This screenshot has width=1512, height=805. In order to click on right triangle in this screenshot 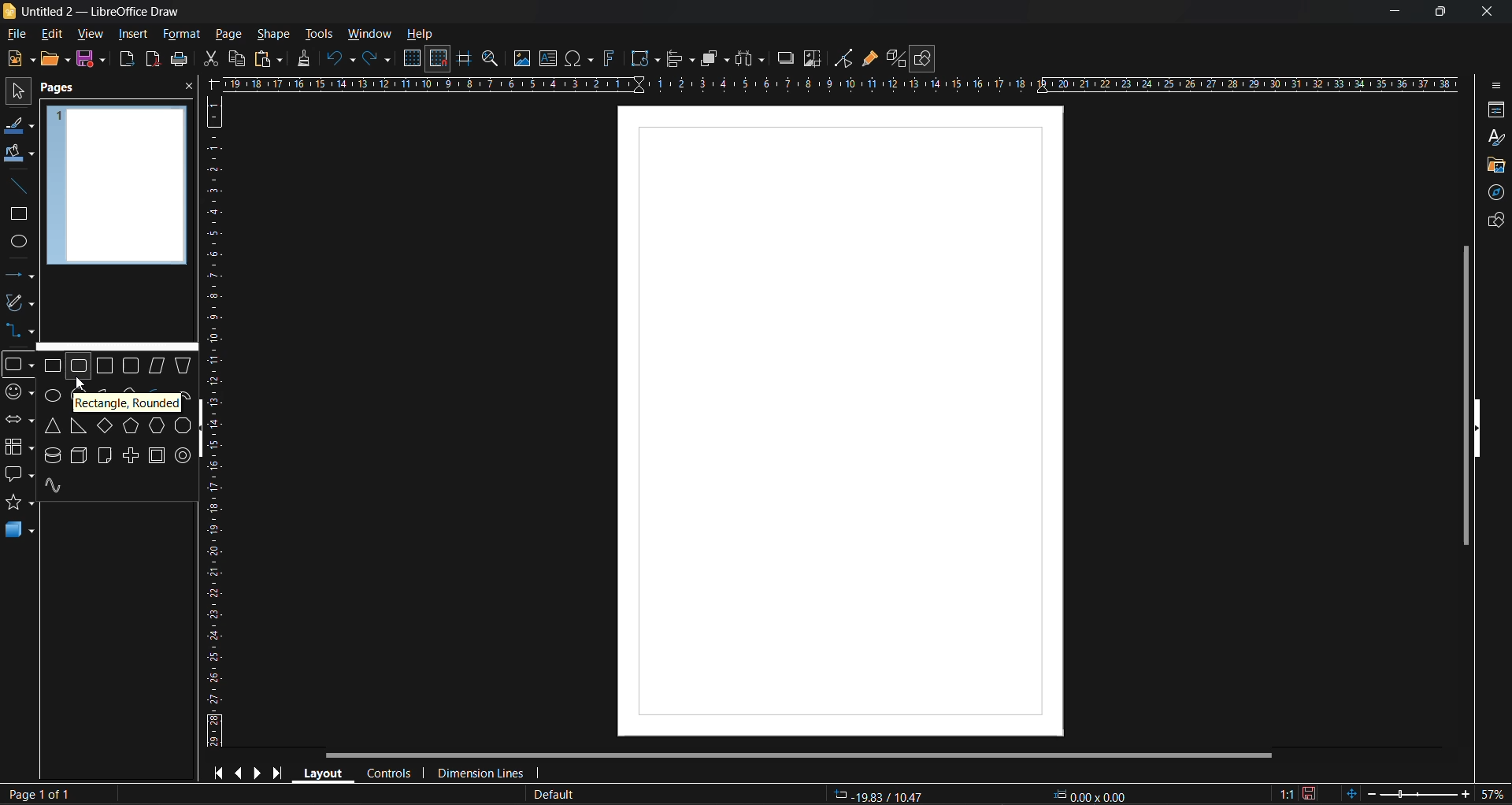, I will do `click(79, 426)`.